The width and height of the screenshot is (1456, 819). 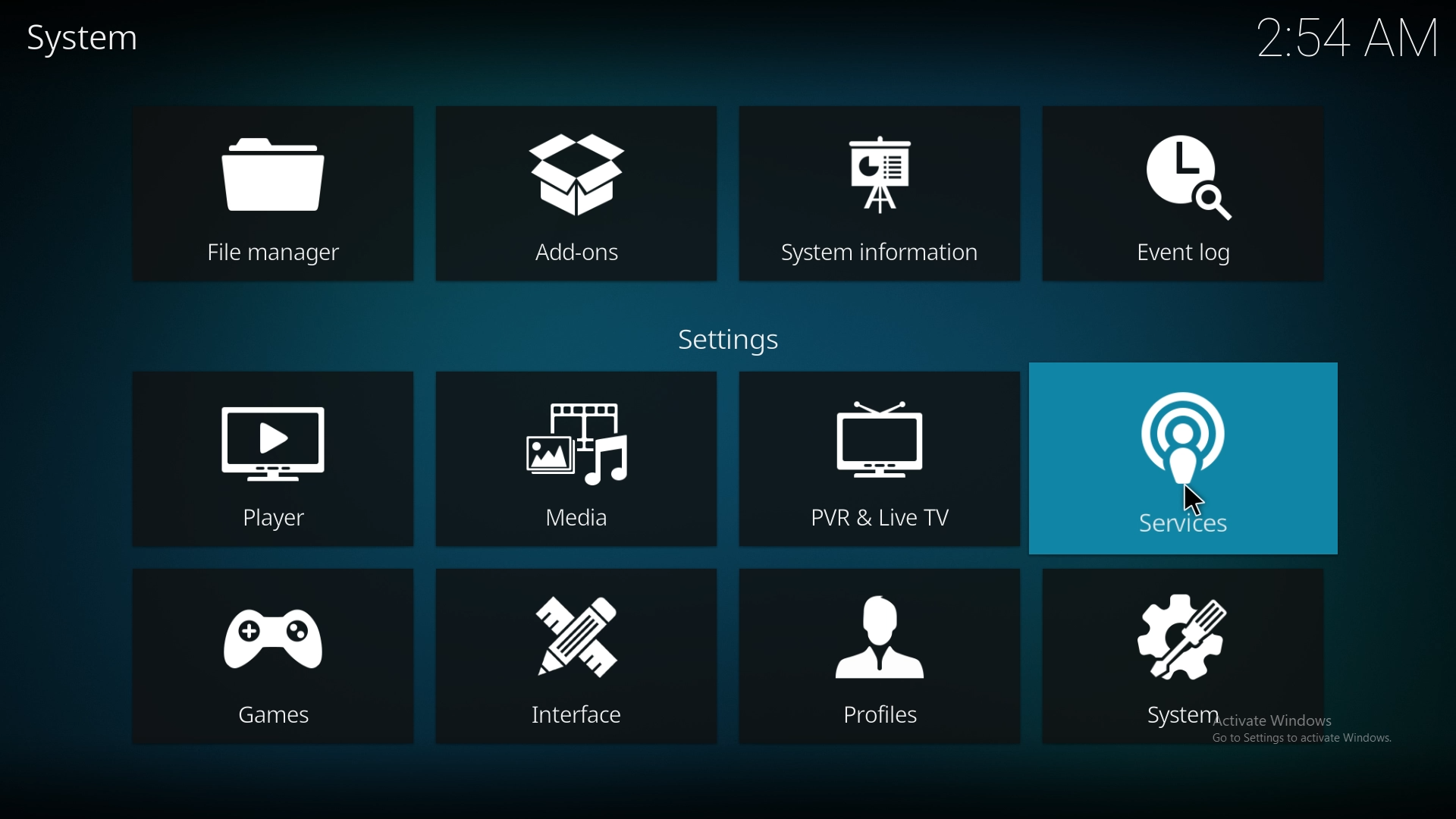 I want to click on system info, so click(x=880, y=196).